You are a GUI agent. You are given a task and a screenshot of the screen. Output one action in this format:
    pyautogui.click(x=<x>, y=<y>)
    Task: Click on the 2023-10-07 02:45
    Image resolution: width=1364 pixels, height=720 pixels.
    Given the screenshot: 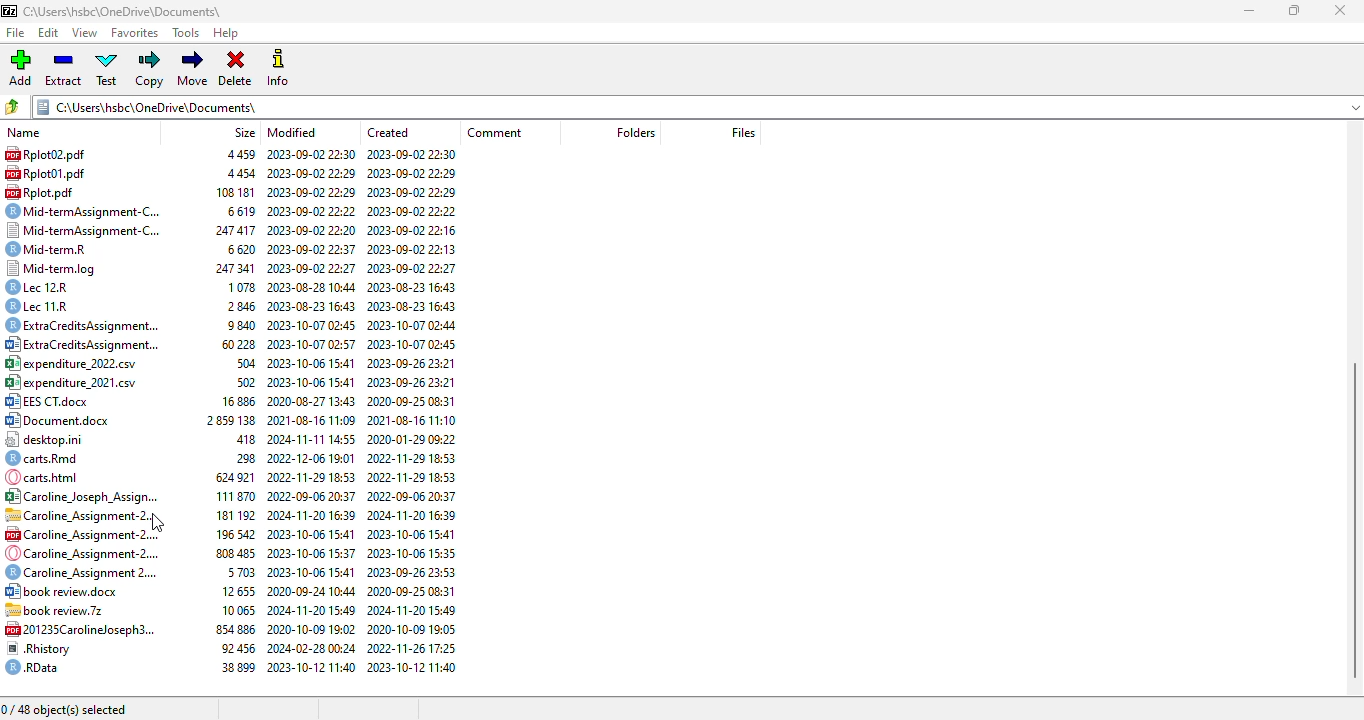 What is the action you would take?
    pyautogui.click(x=316, y=324)
    